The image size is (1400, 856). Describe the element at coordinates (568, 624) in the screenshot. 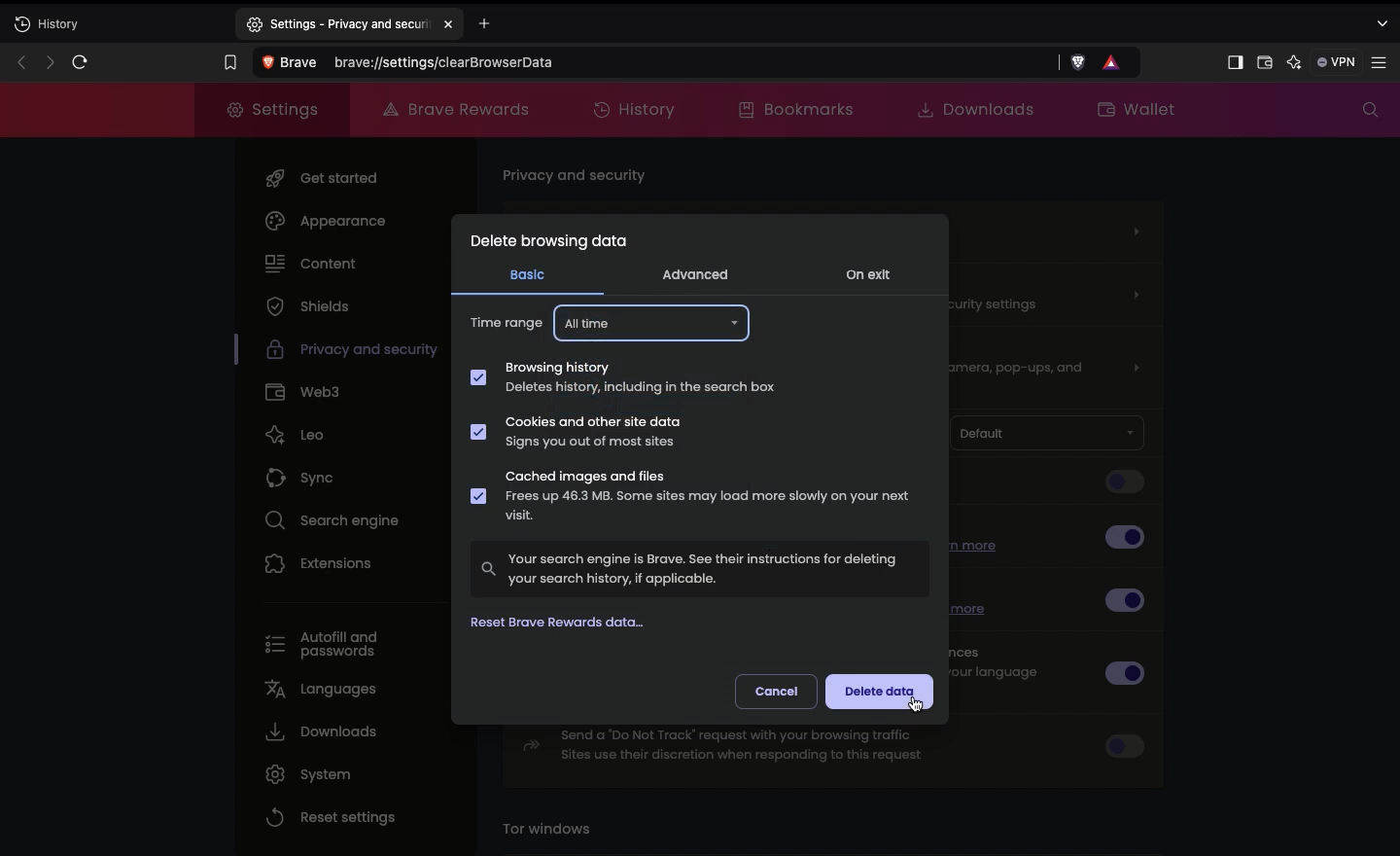

I see `Reset Brave rewards data` at that location.